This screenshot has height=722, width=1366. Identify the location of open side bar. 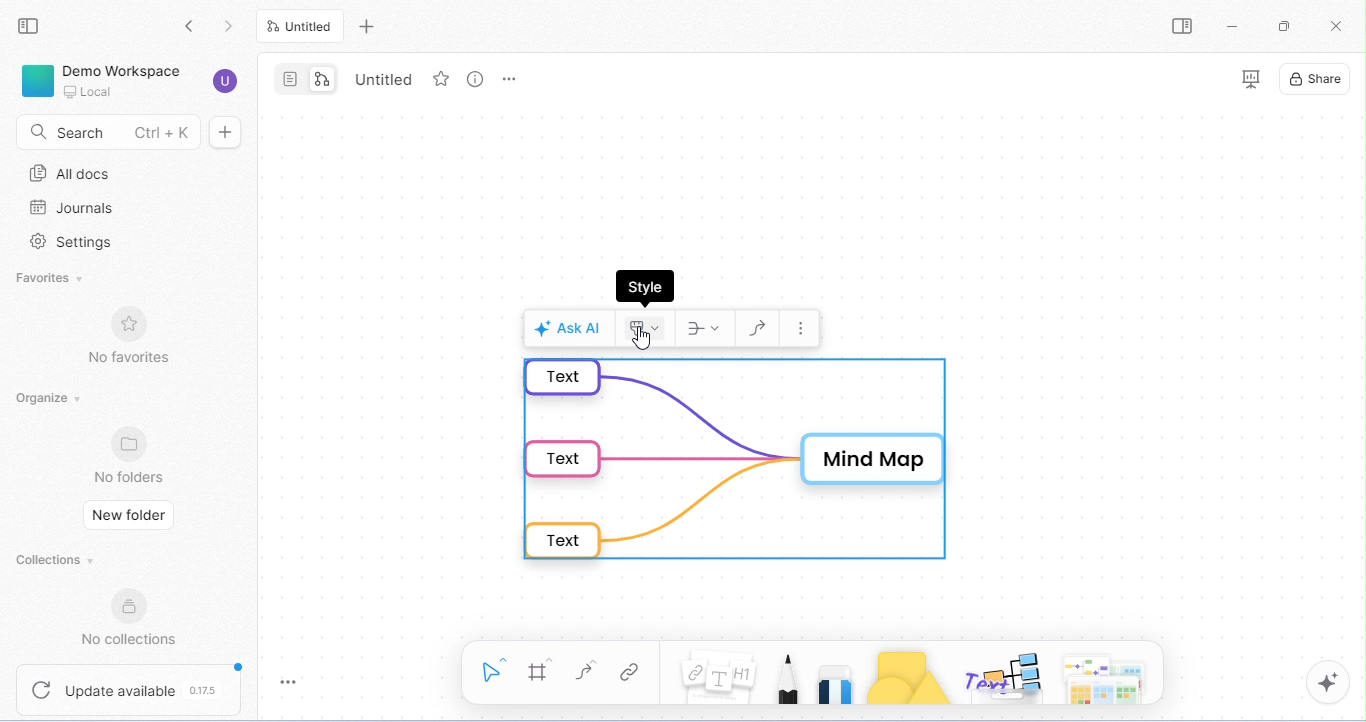
(1184, 27).